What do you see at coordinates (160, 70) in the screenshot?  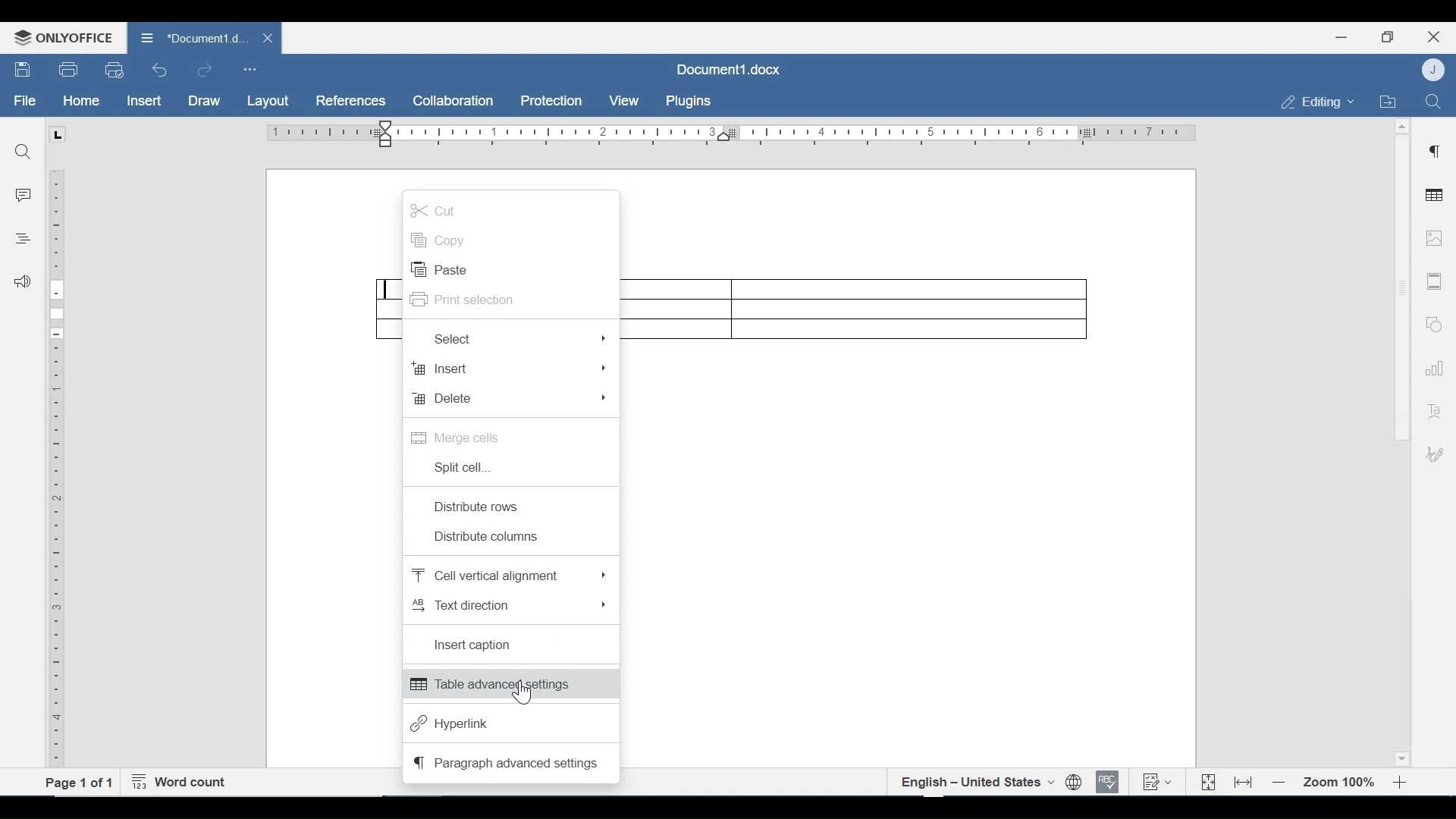 I see `Undo` at bounding box center [160, 70].